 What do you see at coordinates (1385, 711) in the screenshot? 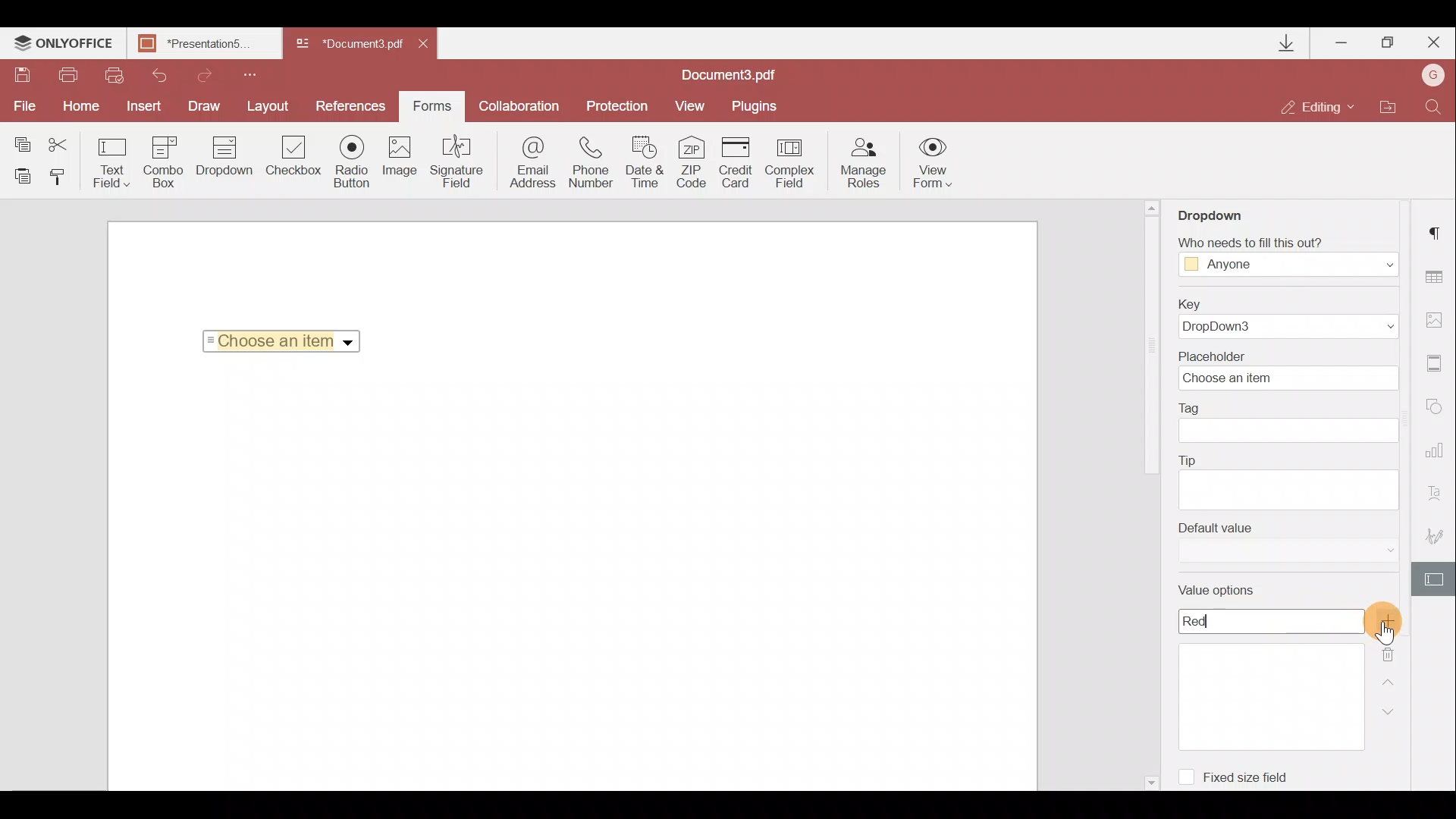
I see `Down` at bounding box center [1385, 711].